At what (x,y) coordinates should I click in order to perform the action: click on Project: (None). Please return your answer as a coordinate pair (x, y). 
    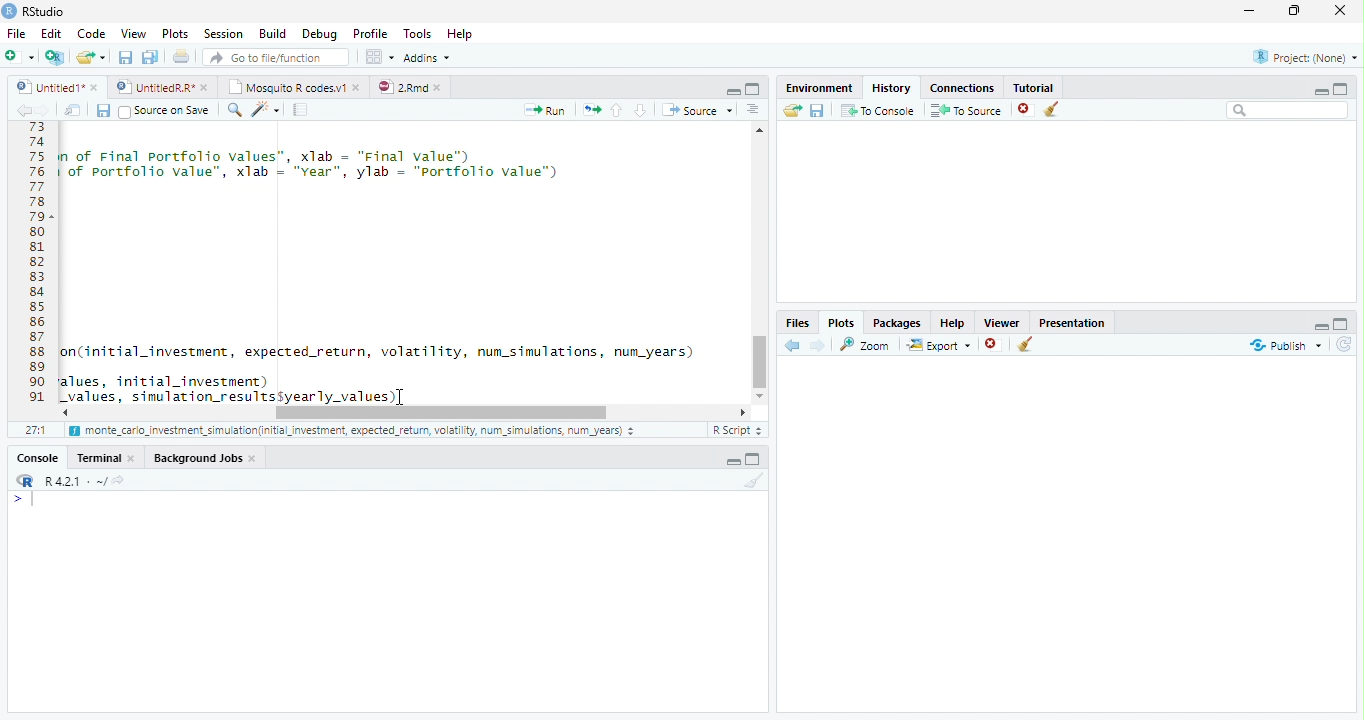
    Looking at the image, I should click on (1301, 58).